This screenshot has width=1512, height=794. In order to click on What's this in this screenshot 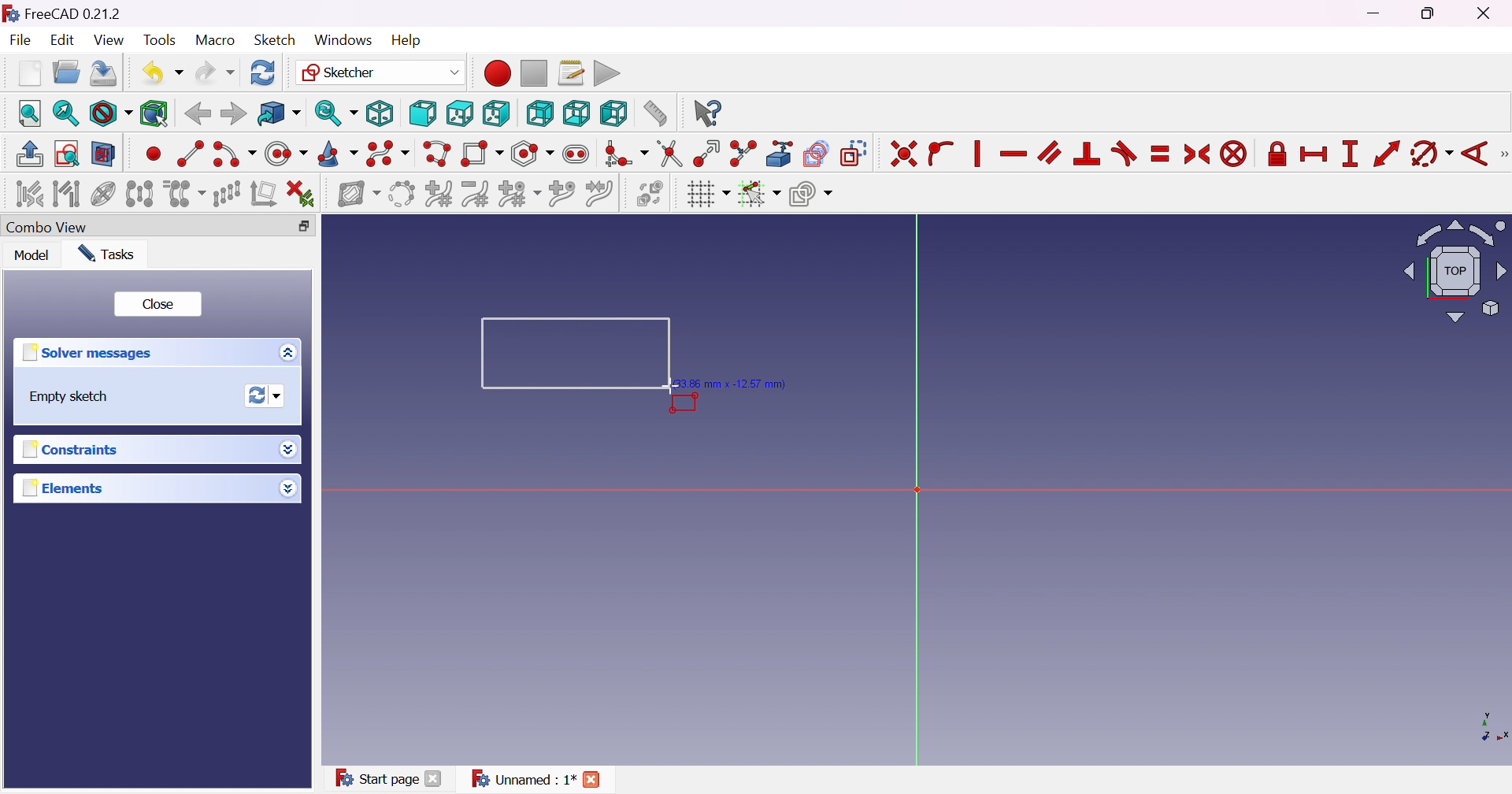, I will do `click(707, 113)`.